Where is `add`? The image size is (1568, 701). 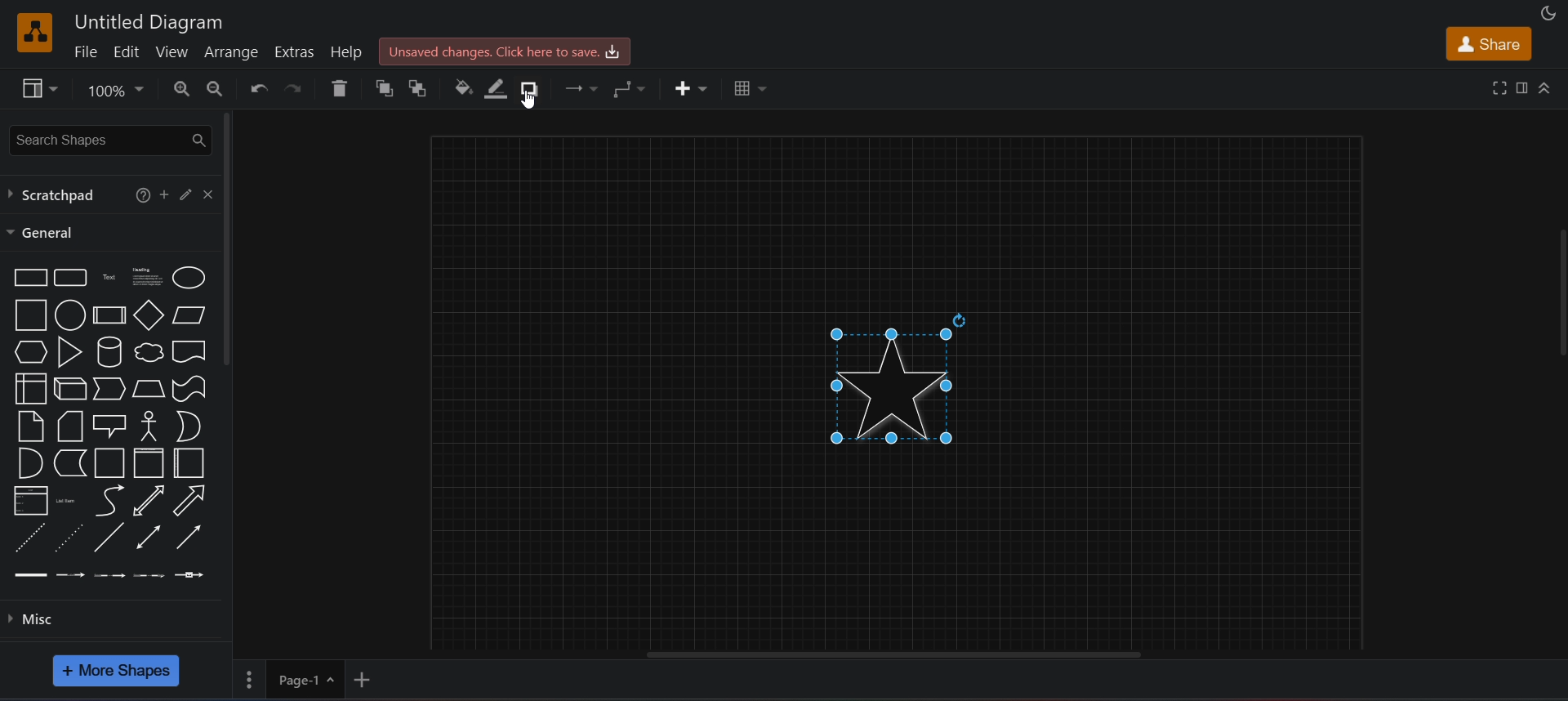
add is located at coordinates (164, 194).